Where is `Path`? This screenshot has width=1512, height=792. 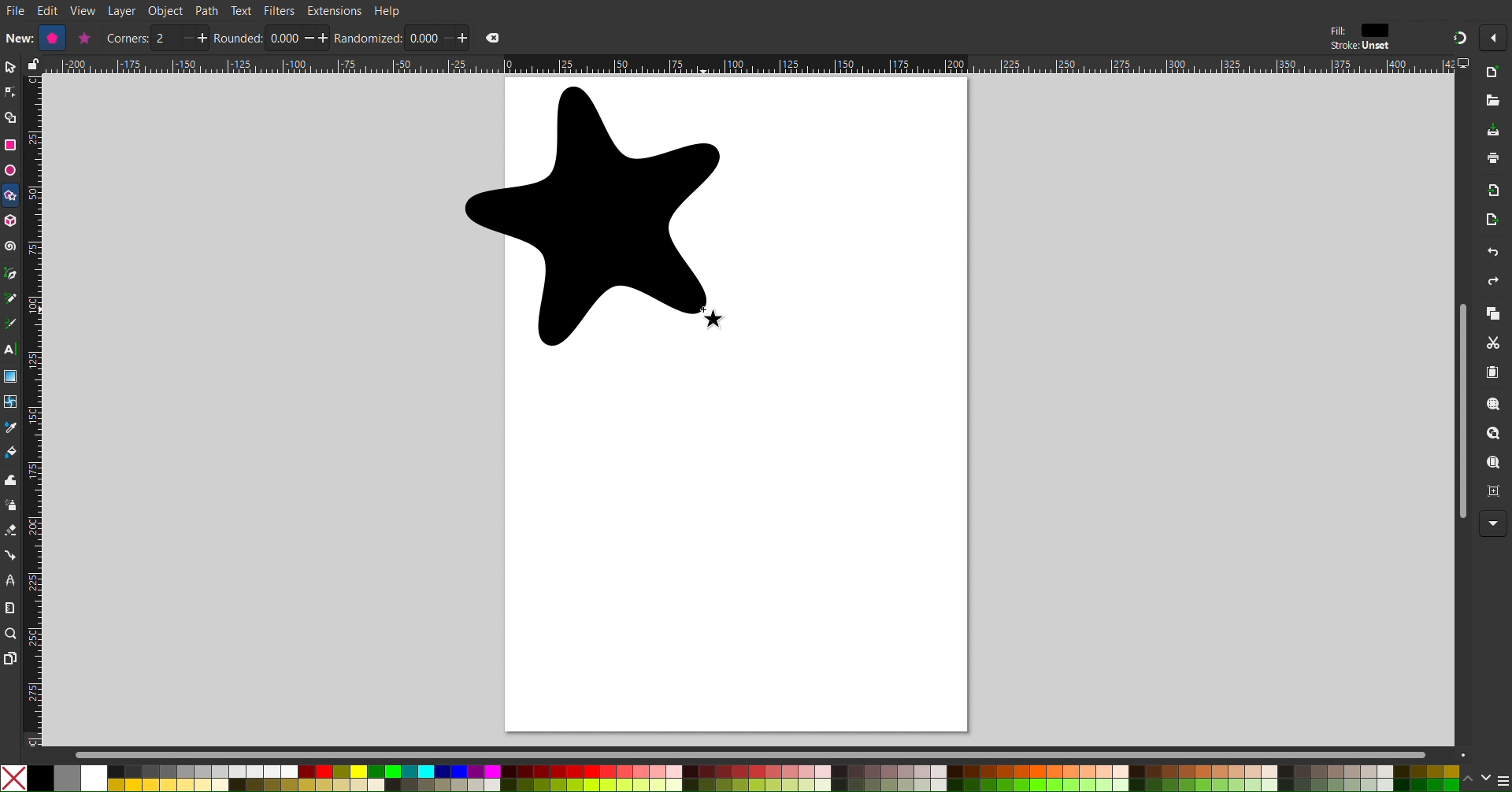
Path is located at coordinates (207, 10).